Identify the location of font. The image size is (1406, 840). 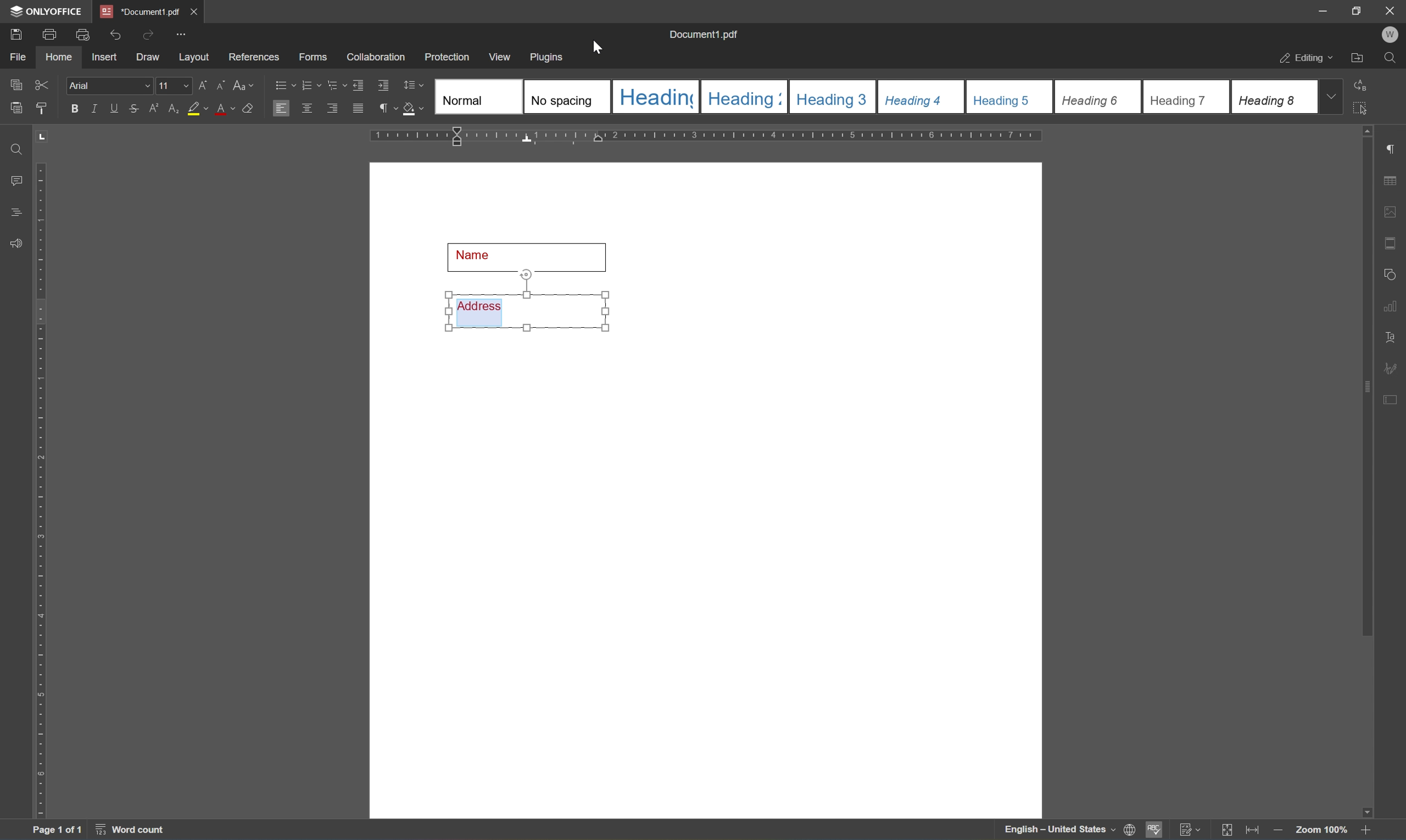
(110, 86).